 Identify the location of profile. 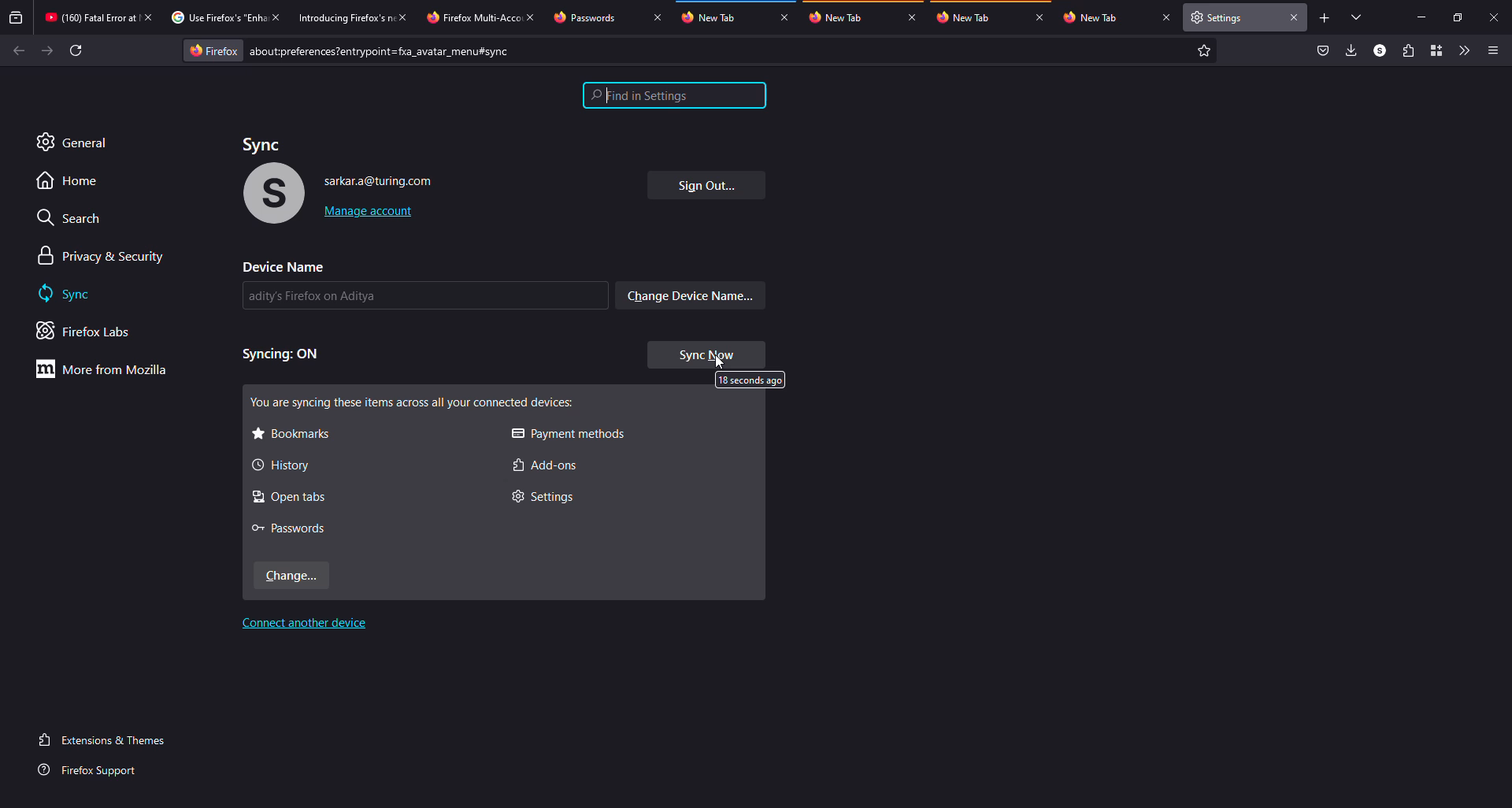
(274, 193).